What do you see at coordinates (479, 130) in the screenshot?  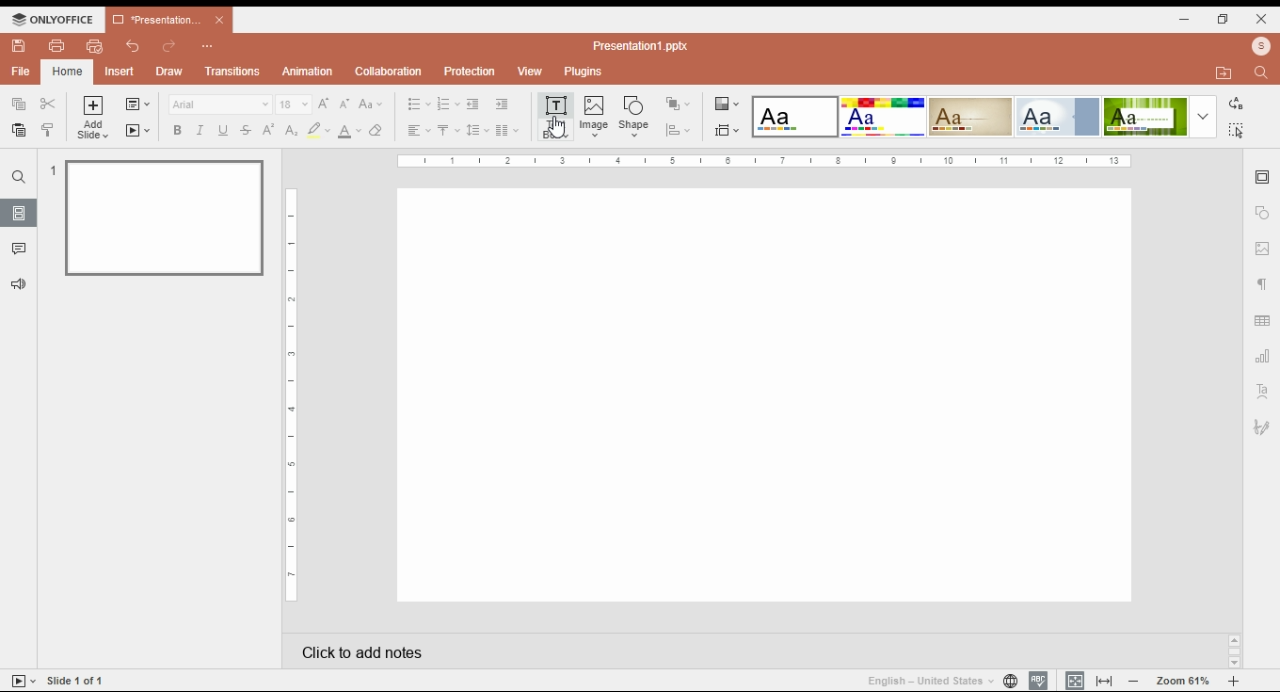 I see `line spacing` at bounding box center [479, 130].